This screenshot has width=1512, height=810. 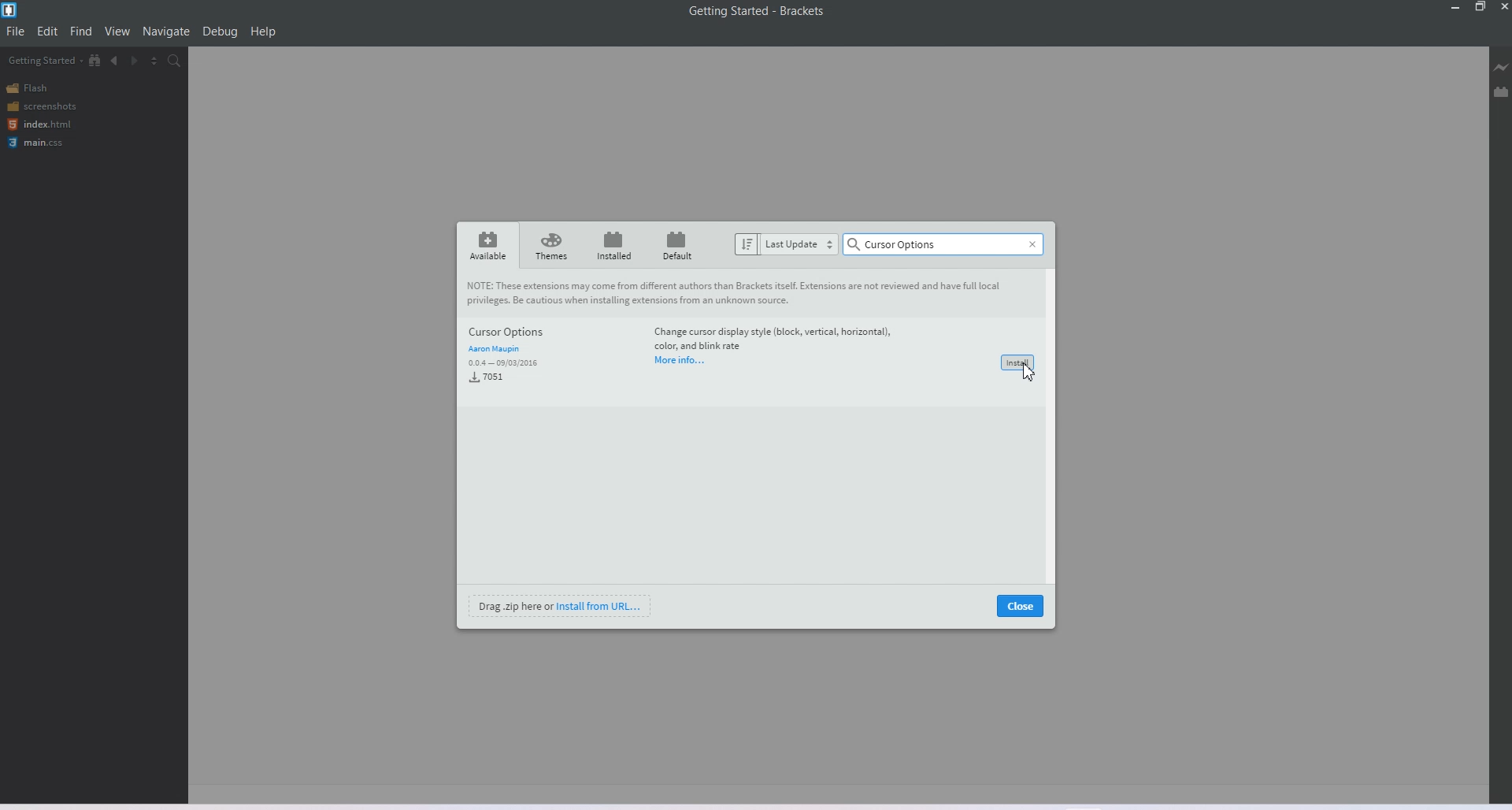 What do you see at coordinates (117, 30) in the screenshot?
I see `View` at bounding box center [117, 30].